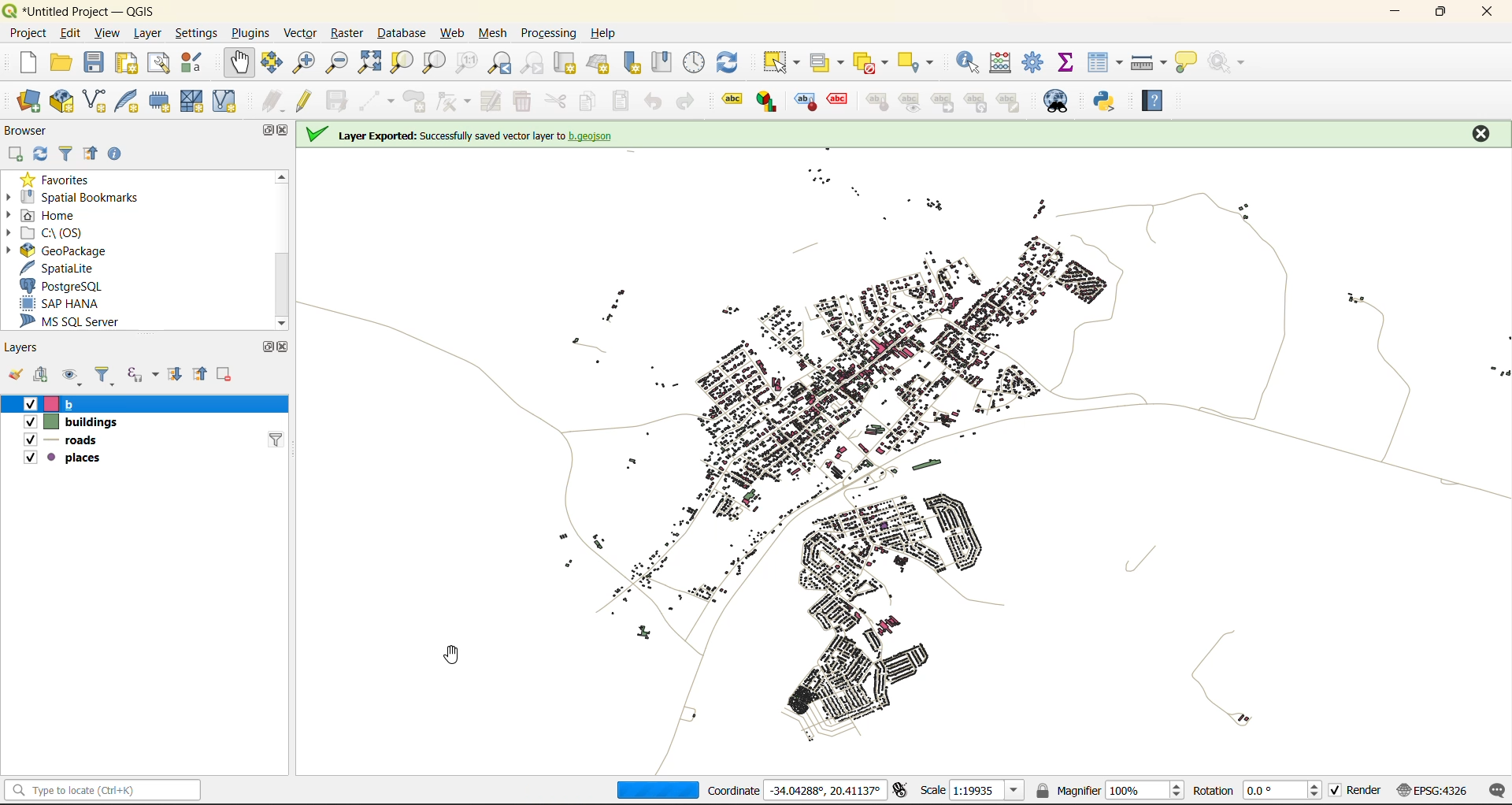 Image resolution: width=1512 pixels, height=805 pixels. What do you see at coordinates (43, 154) in the screenshot?
I see `refresh` at bounding box center [43, 154].